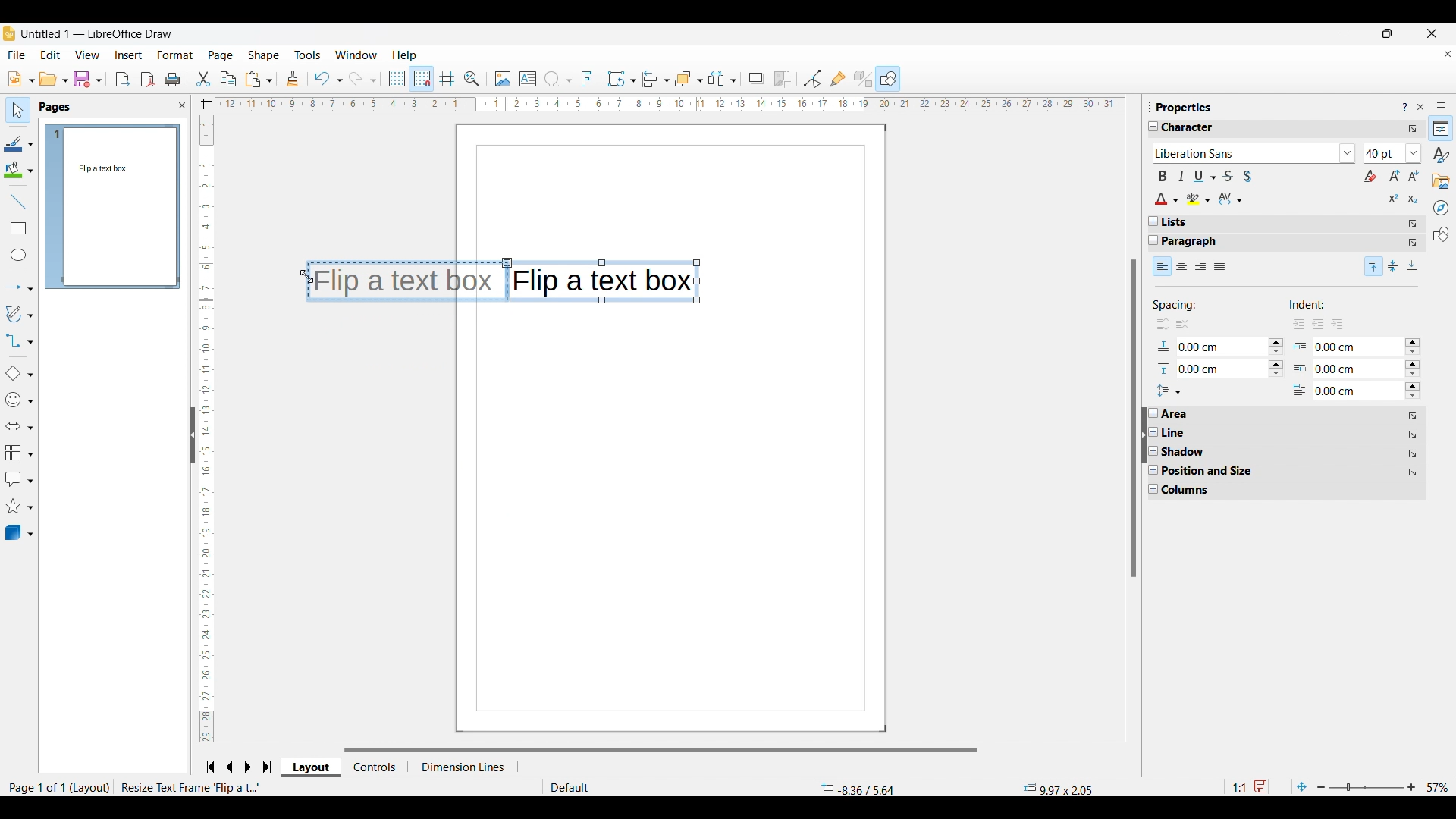  What do you see at coordinates (96, 33) in the screenshot?
I see `Untitled 1 - Libreoffice draw` at bounding box center [96, 33].